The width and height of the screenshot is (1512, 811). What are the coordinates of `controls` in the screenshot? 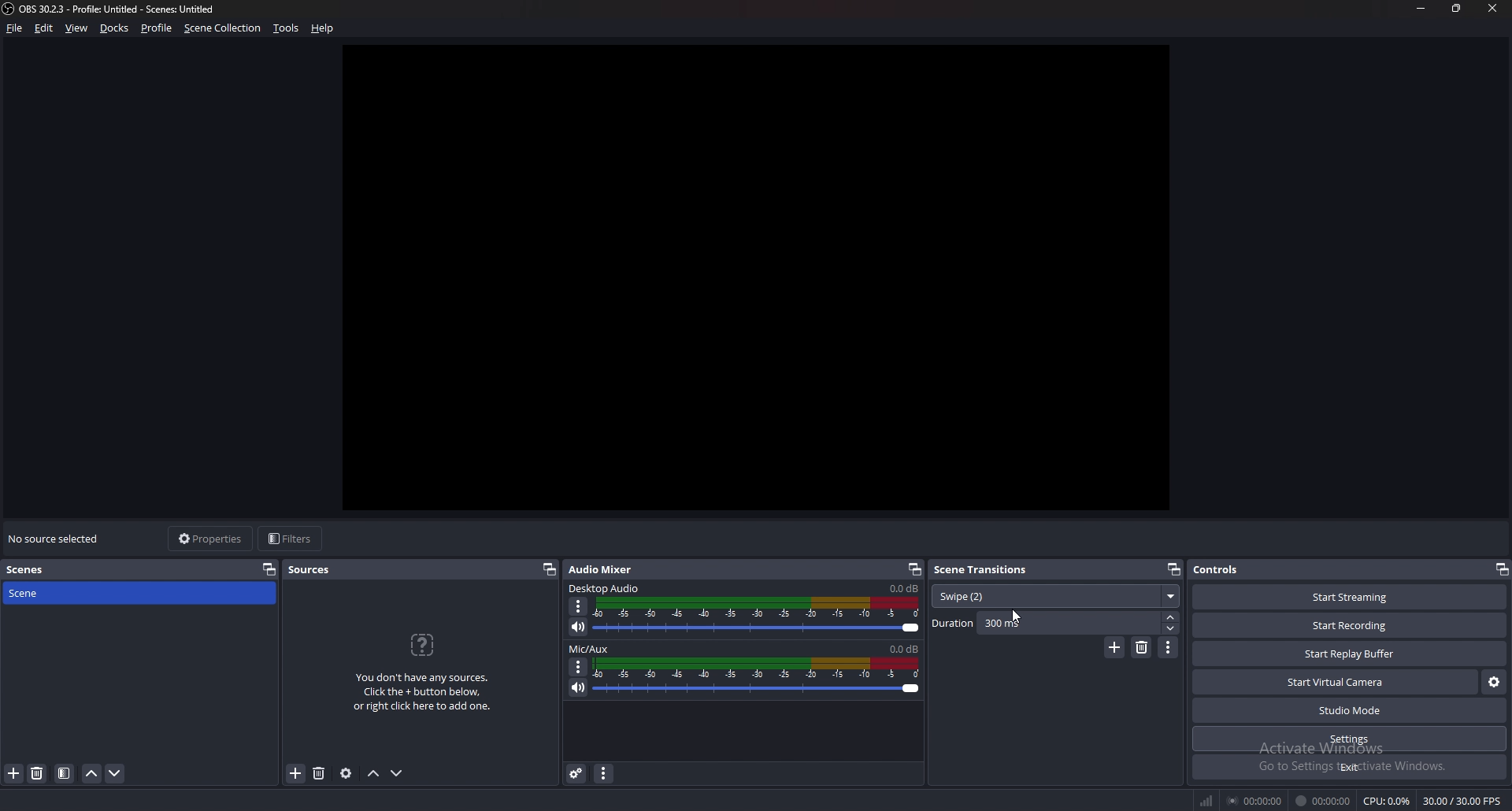 It's located at (1232, 568).